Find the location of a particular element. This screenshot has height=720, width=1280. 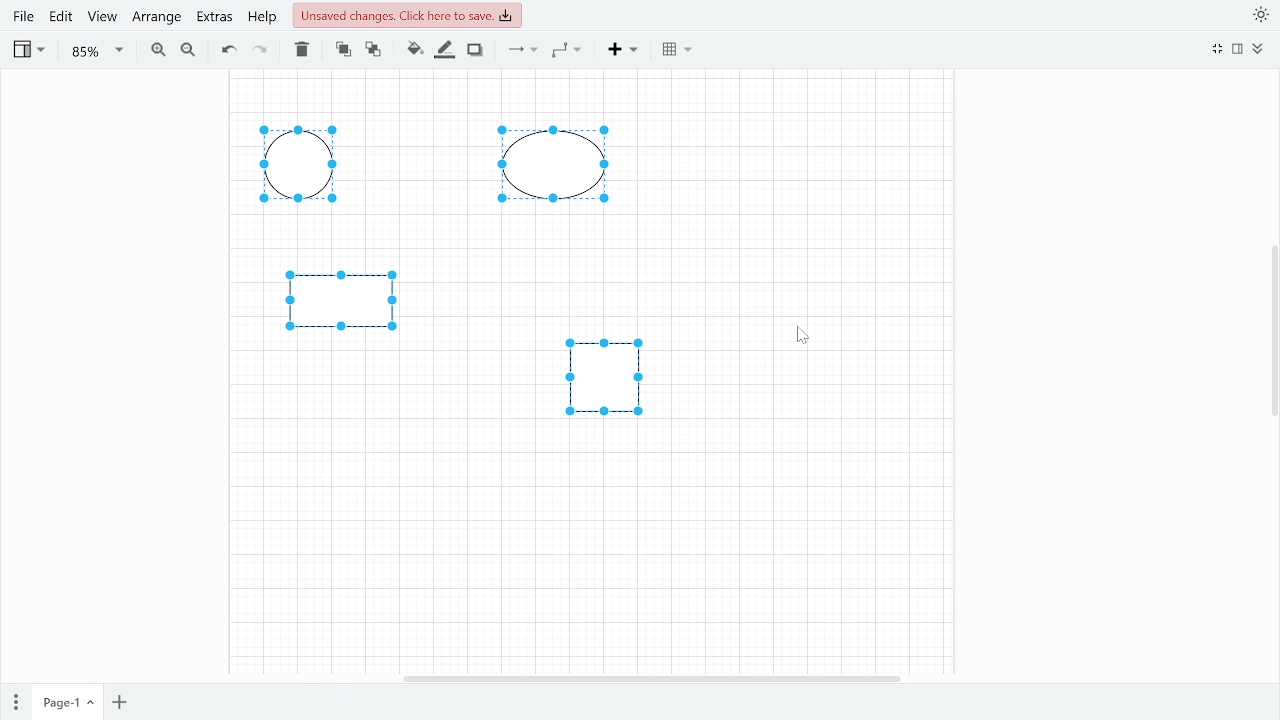

Unsaved changes click here to save is located at coordinates (409, 18).